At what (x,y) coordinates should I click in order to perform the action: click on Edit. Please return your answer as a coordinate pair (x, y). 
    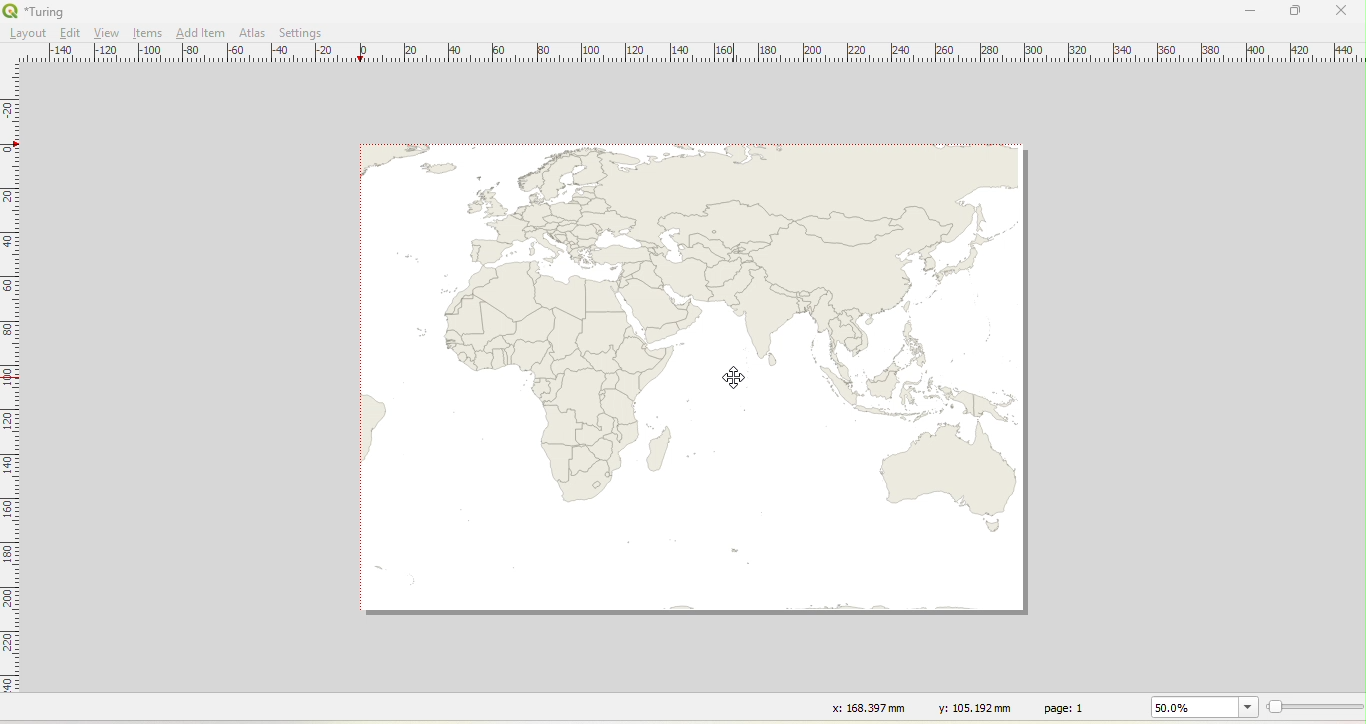
    Looking at the image, I should click on (68, 33).